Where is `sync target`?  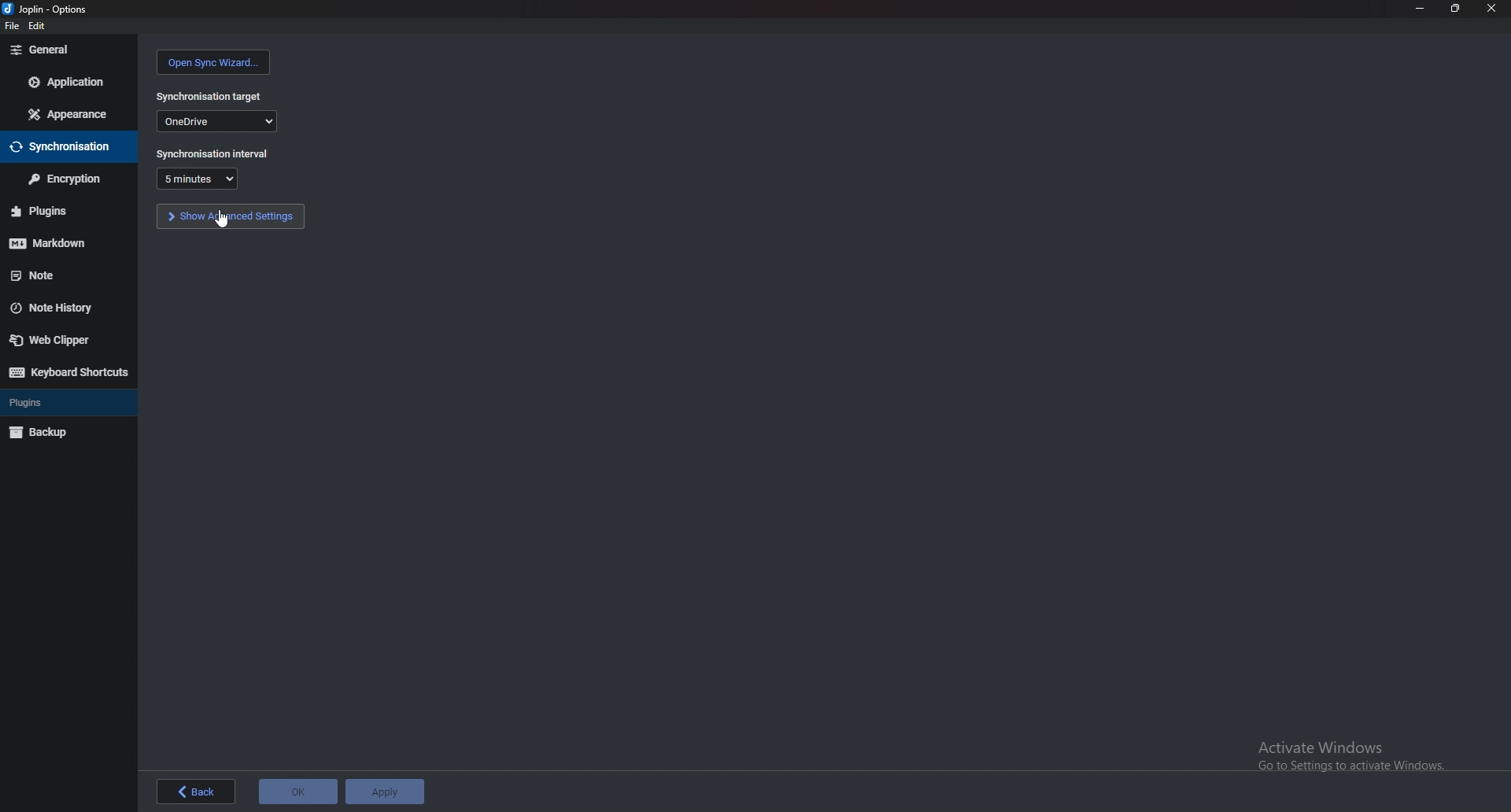 sync target is located at coordinates (212, 97).